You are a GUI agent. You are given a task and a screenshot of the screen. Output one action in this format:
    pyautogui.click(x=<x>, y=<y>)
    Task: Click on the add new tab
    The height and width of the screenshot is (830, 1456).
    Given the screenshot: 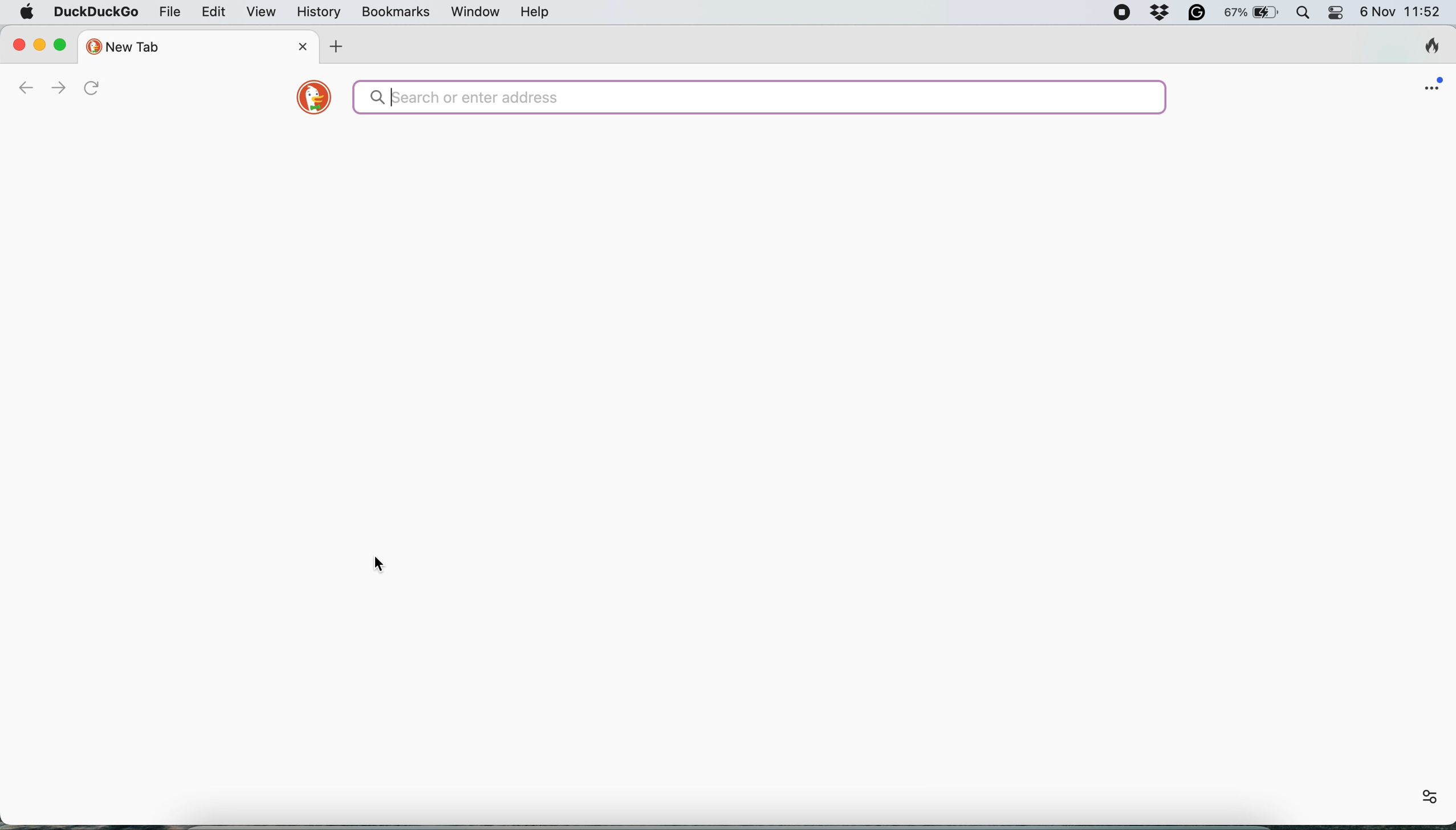 What is the action you would take?
    pyautogui.click(x=338, y=46)
    